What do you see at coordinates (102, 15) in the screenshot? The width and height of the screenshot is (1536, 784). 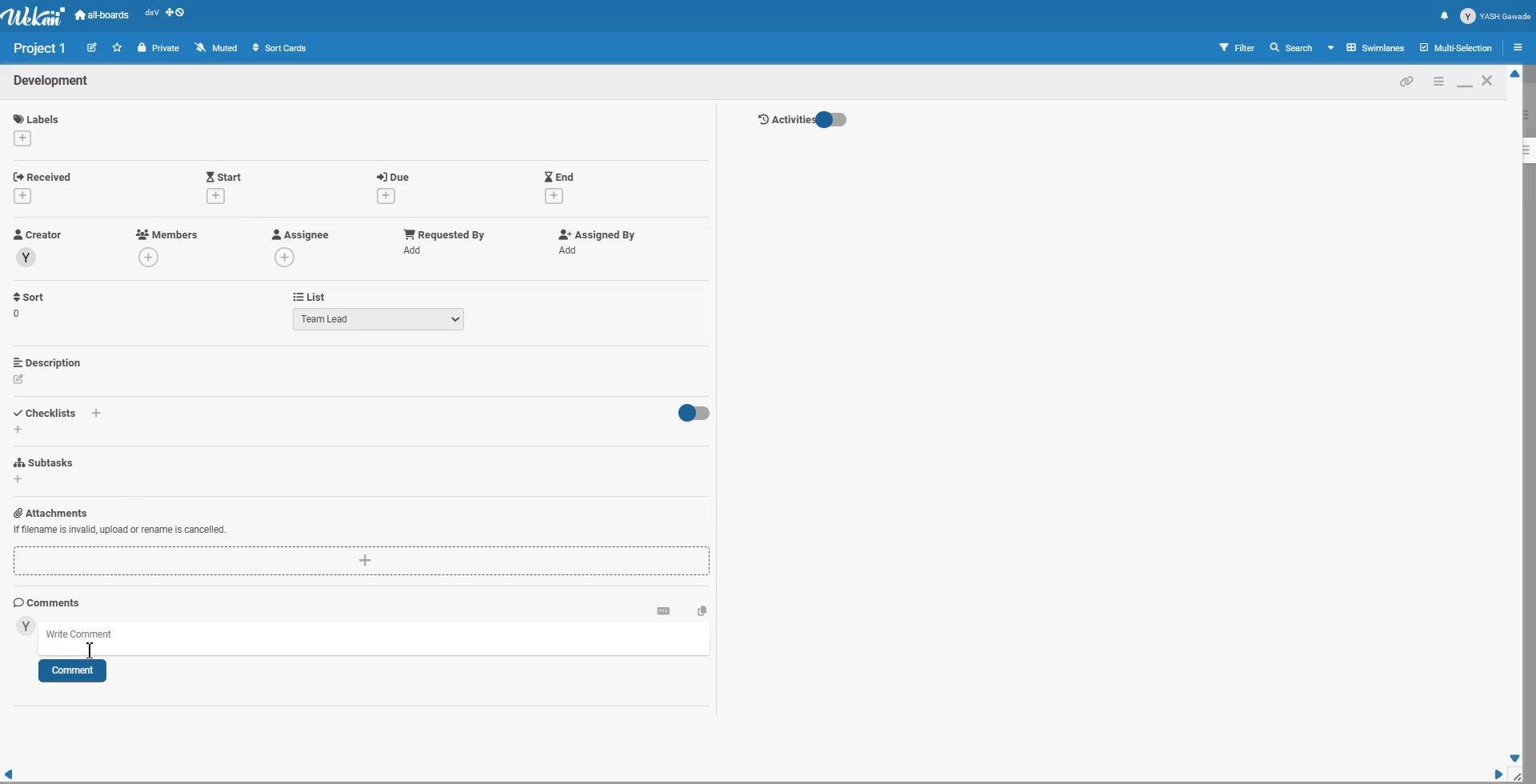 I see `all-boards` at bounding box center [102, 15].